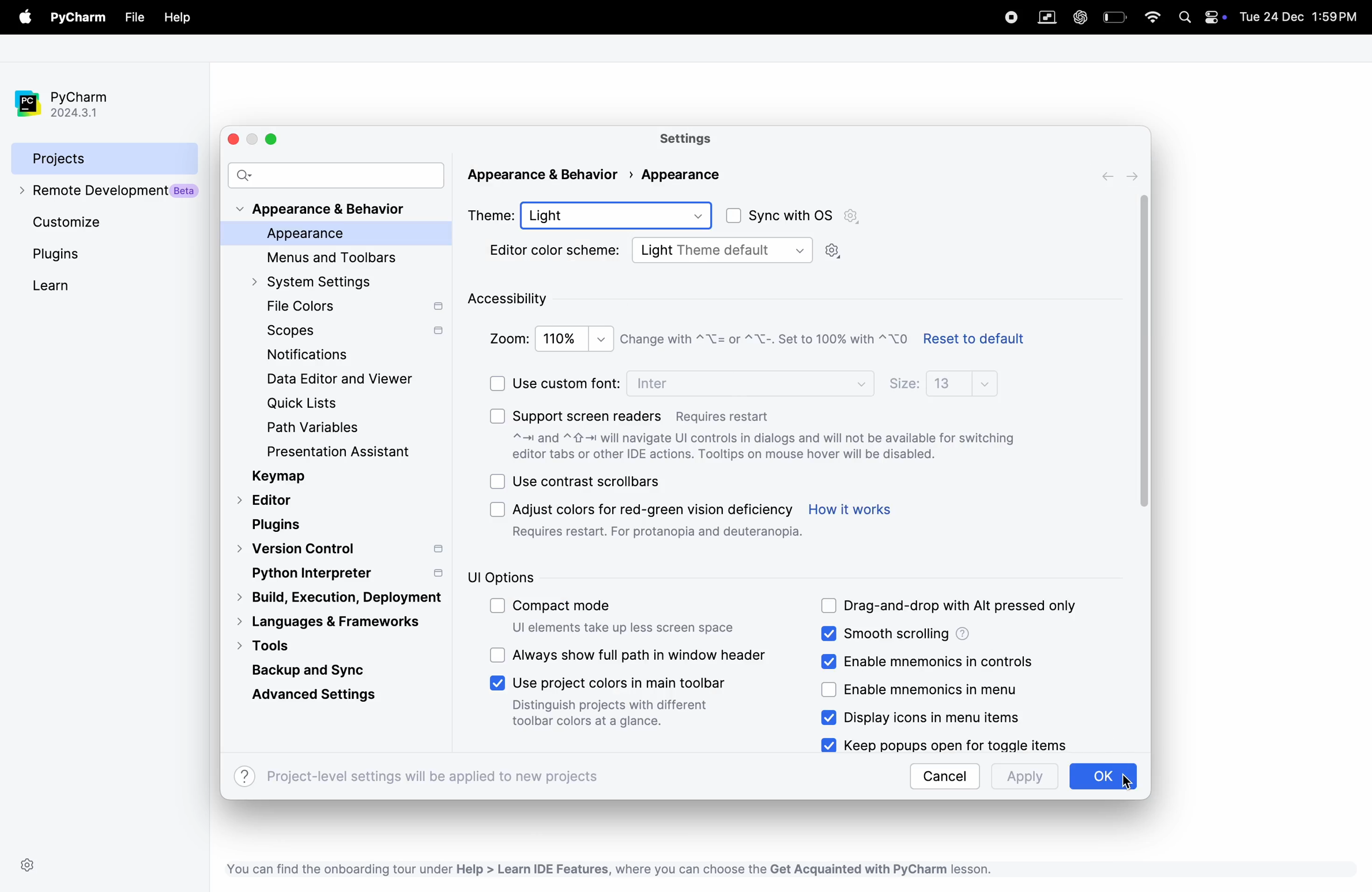  Describe the element at coordinates (830, 717) in the screenshot. I see `check boxes` at that location.